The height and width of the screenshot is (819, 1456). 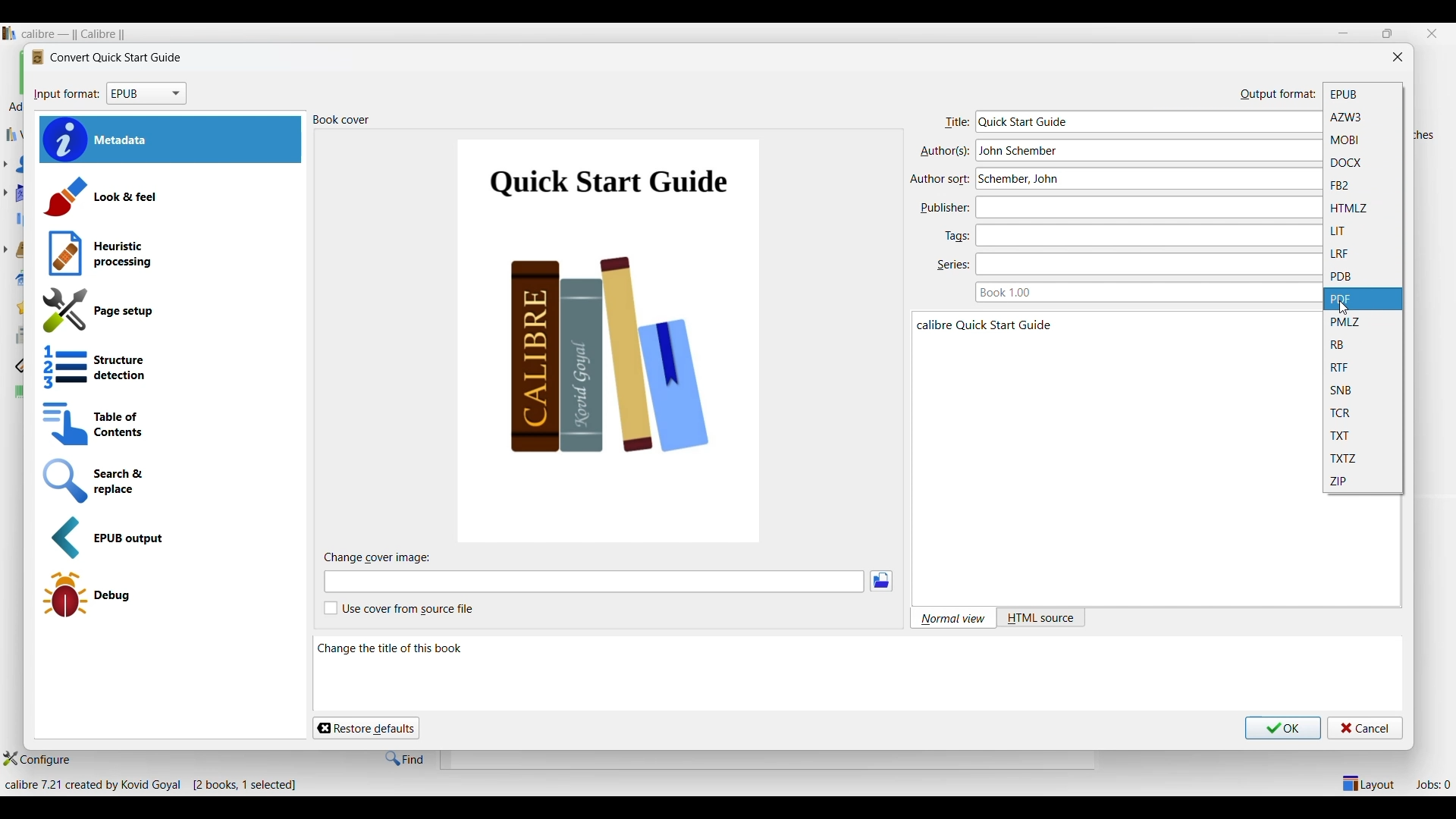 What do you see at coordinates (856, 676) in the screenshot?
I see `Description of current selection` at bounding box center [856, 676].